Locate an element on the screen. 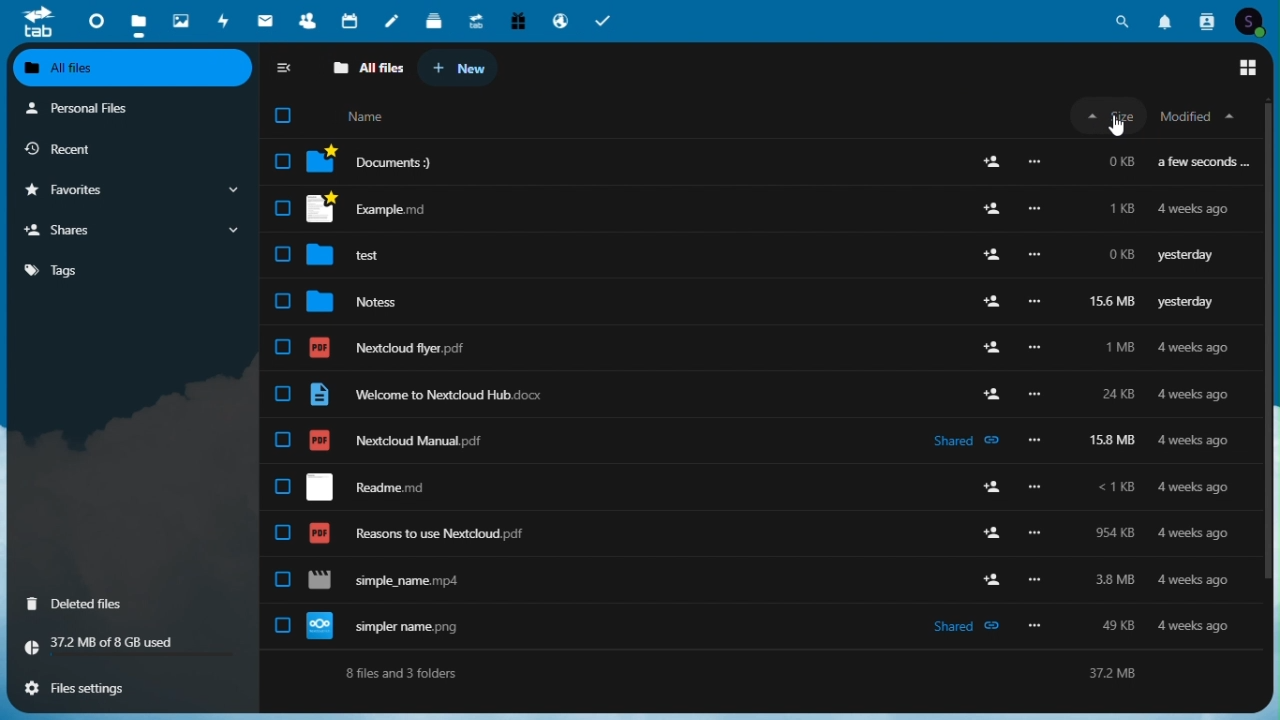  Nextcloud flyer pif is located at coordinates (752, 352).